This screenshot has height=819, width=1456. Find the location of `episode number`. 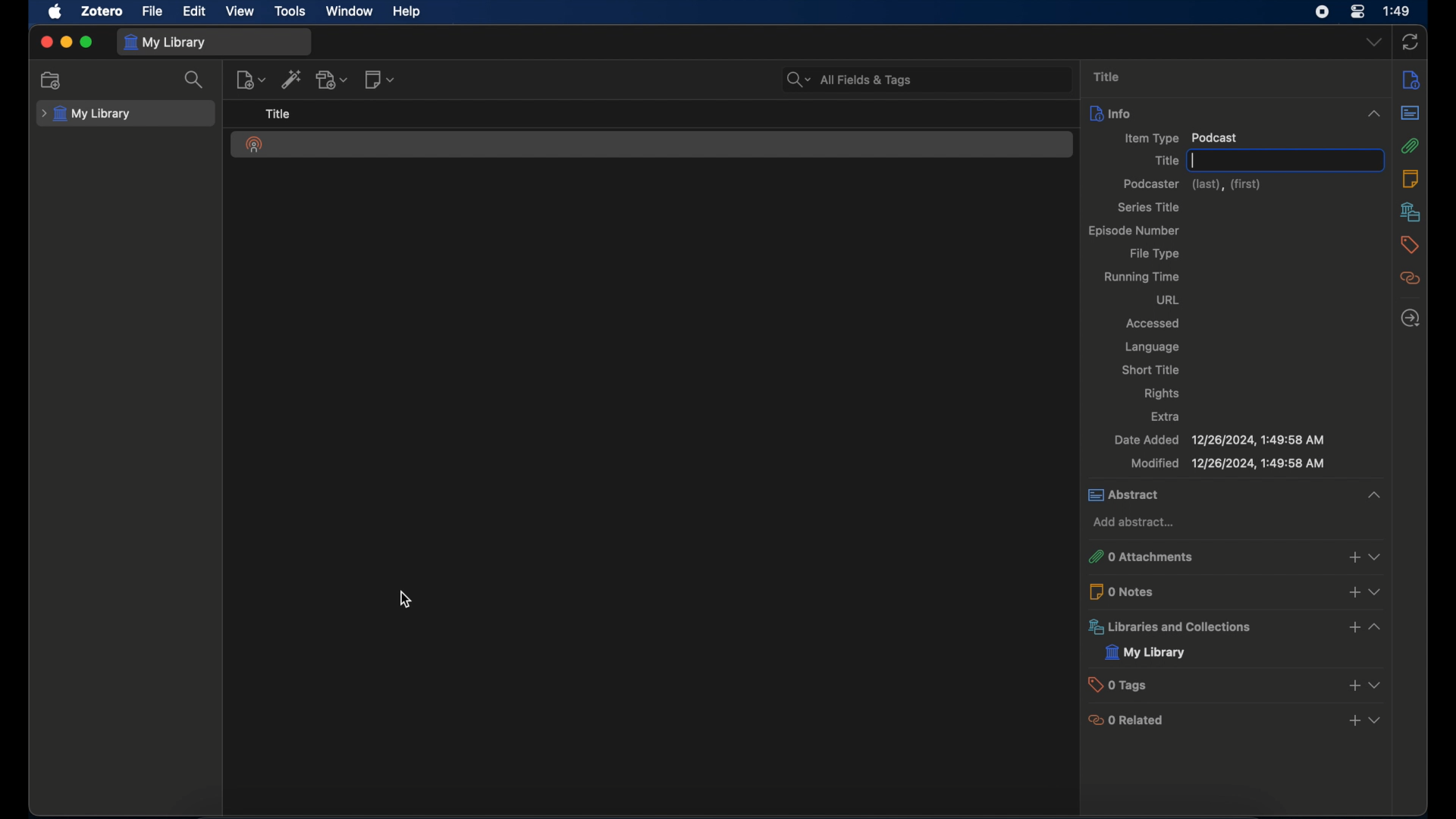

episode number is located at coordinates (1132, 231).